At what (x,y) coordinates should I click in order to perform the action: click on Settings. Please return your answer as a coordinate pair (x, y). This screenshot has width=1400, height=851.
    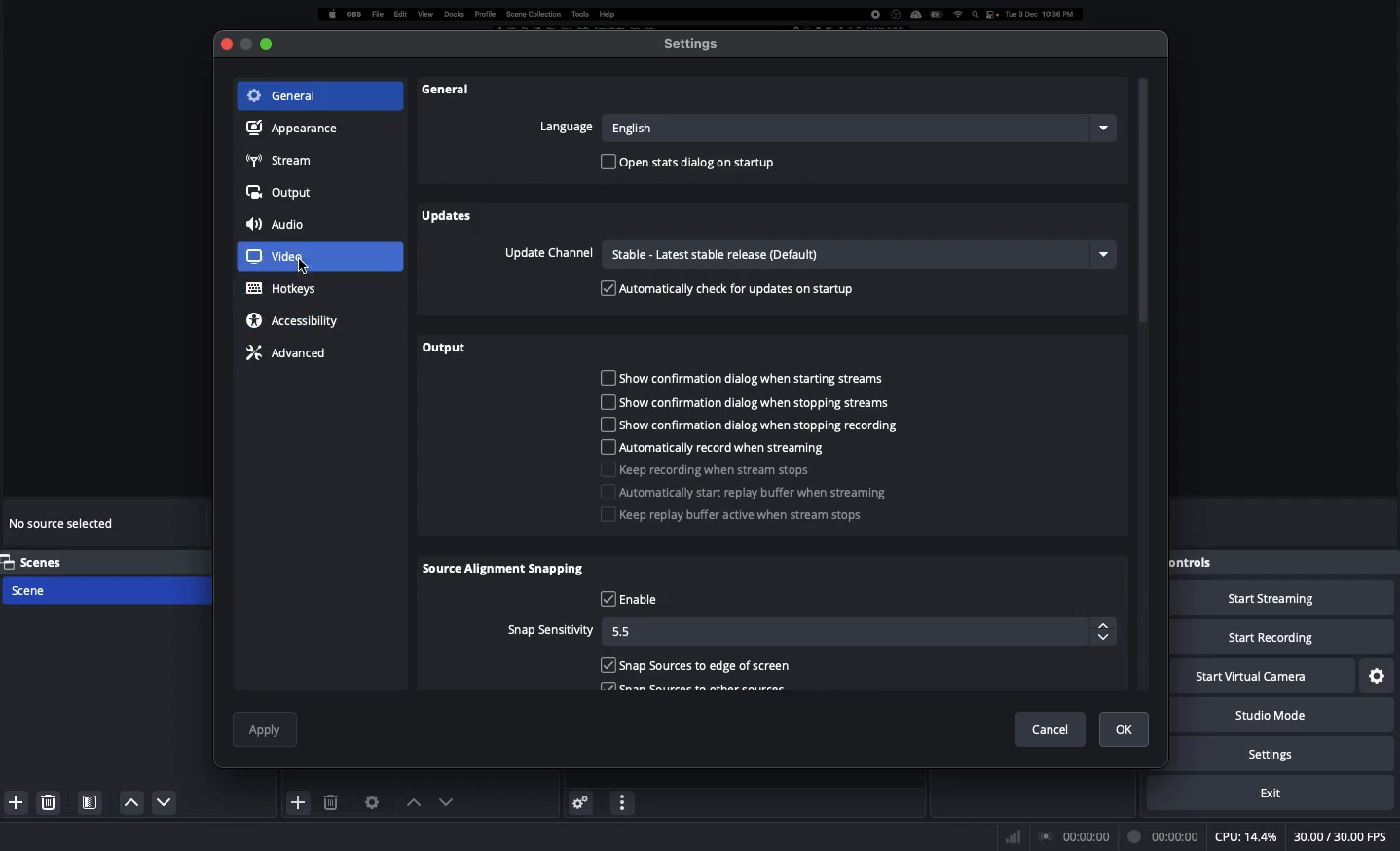
    Looking at the image, I should click on (691, 45).